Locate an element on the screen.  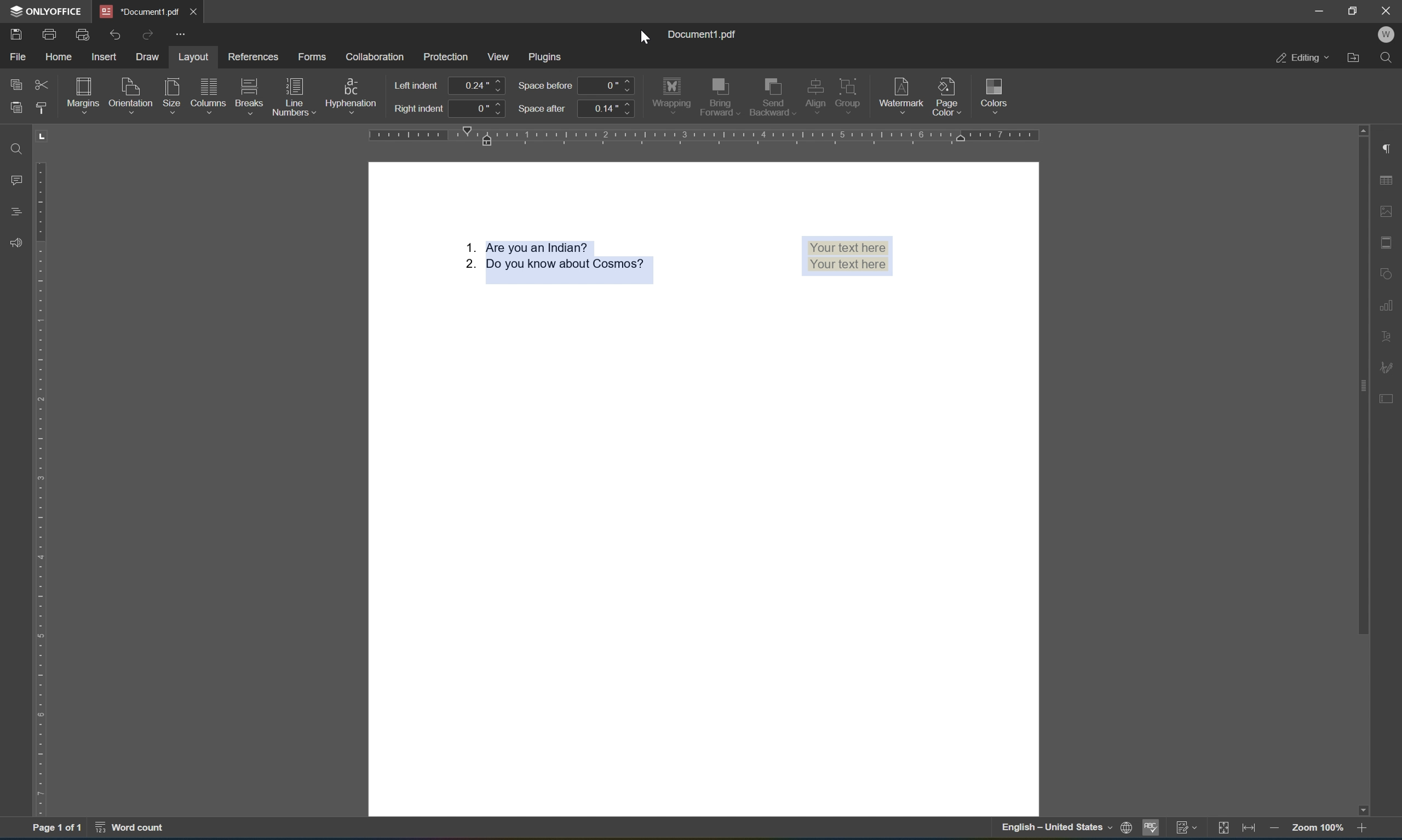
Are you Indian? is located at coordinates (525, 247).